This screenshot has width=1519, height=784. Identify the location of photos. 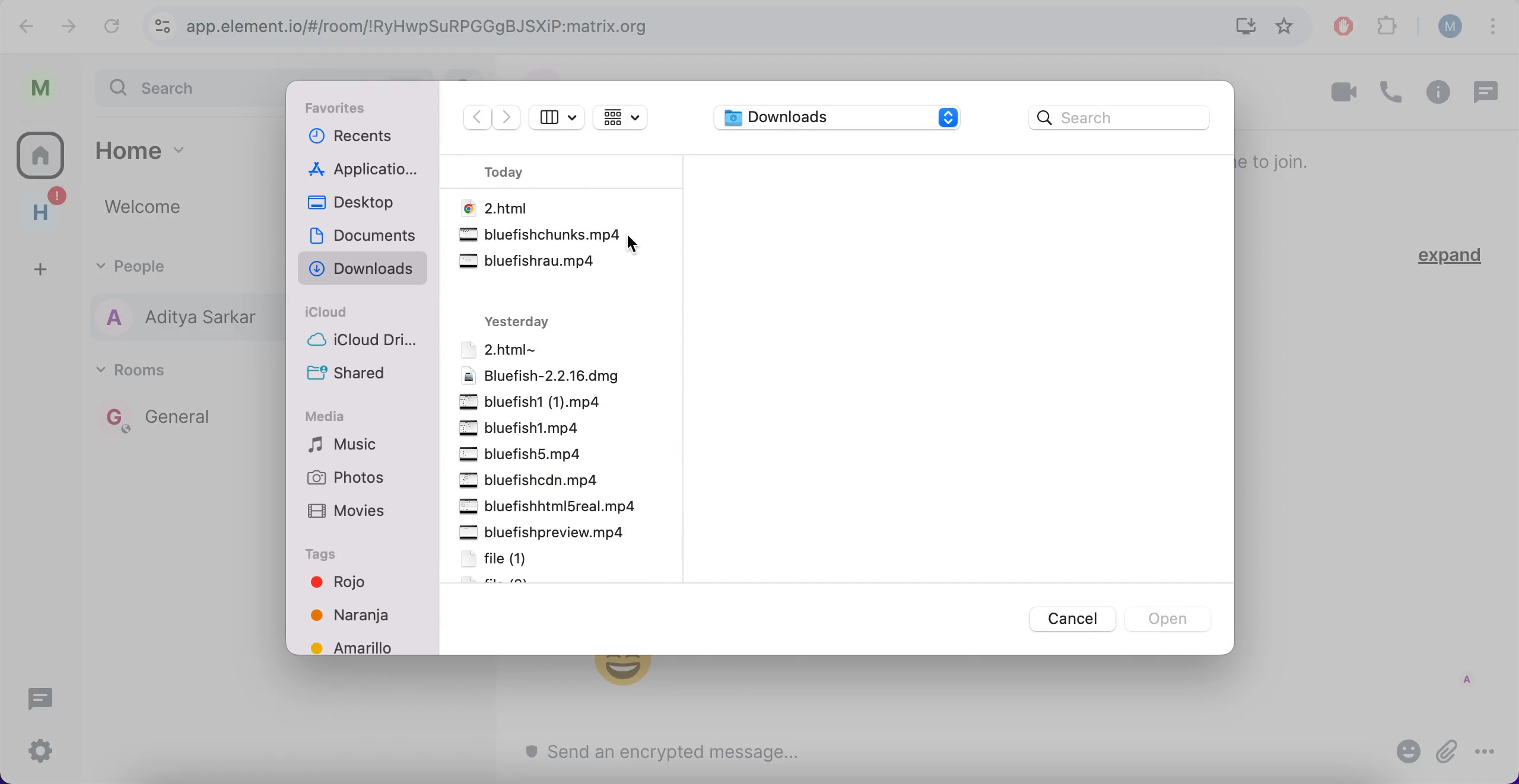
(345, 477).